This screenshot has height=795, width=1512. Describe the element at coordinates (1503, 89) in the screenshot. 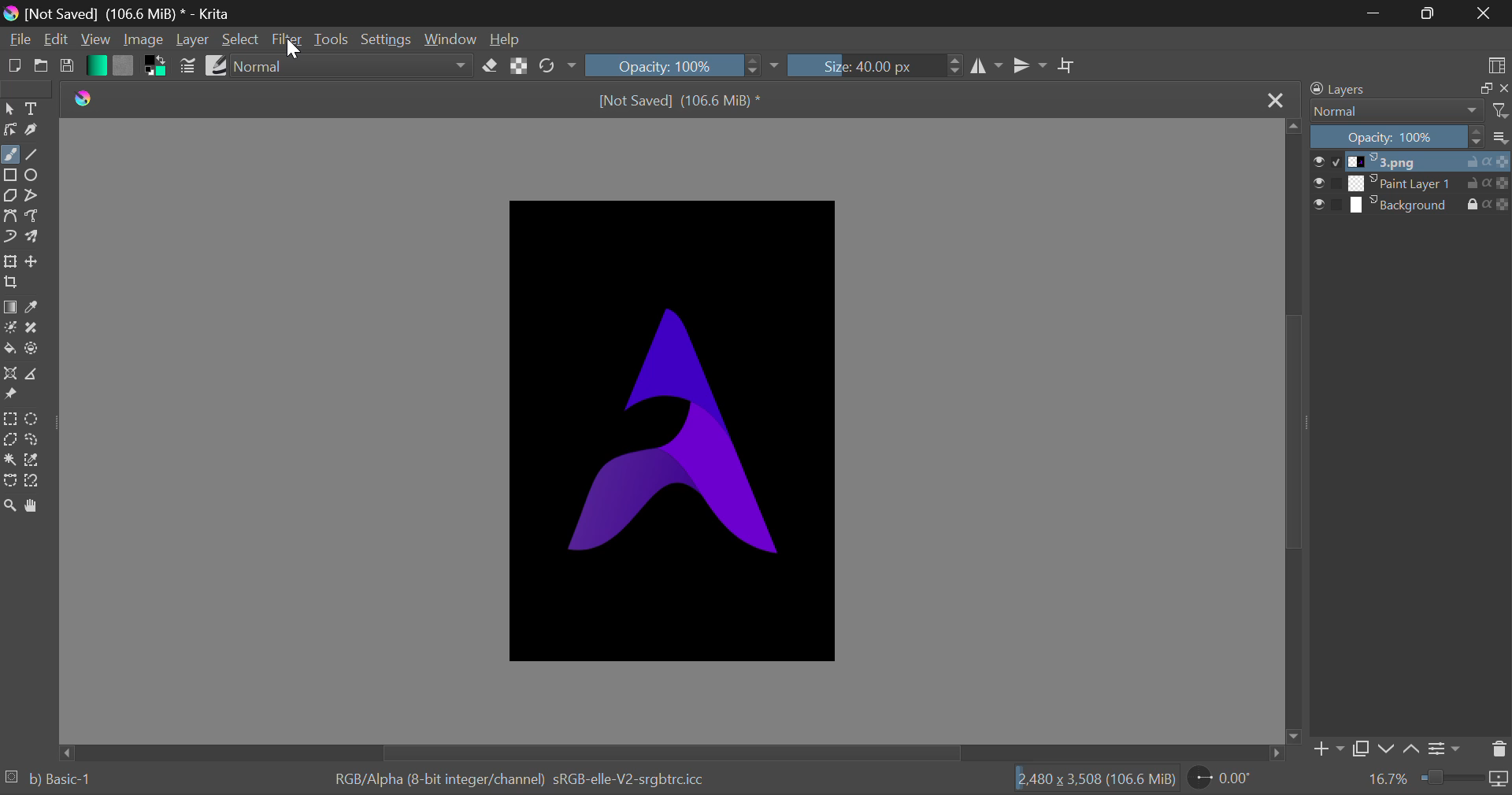

I see `close` at that location.